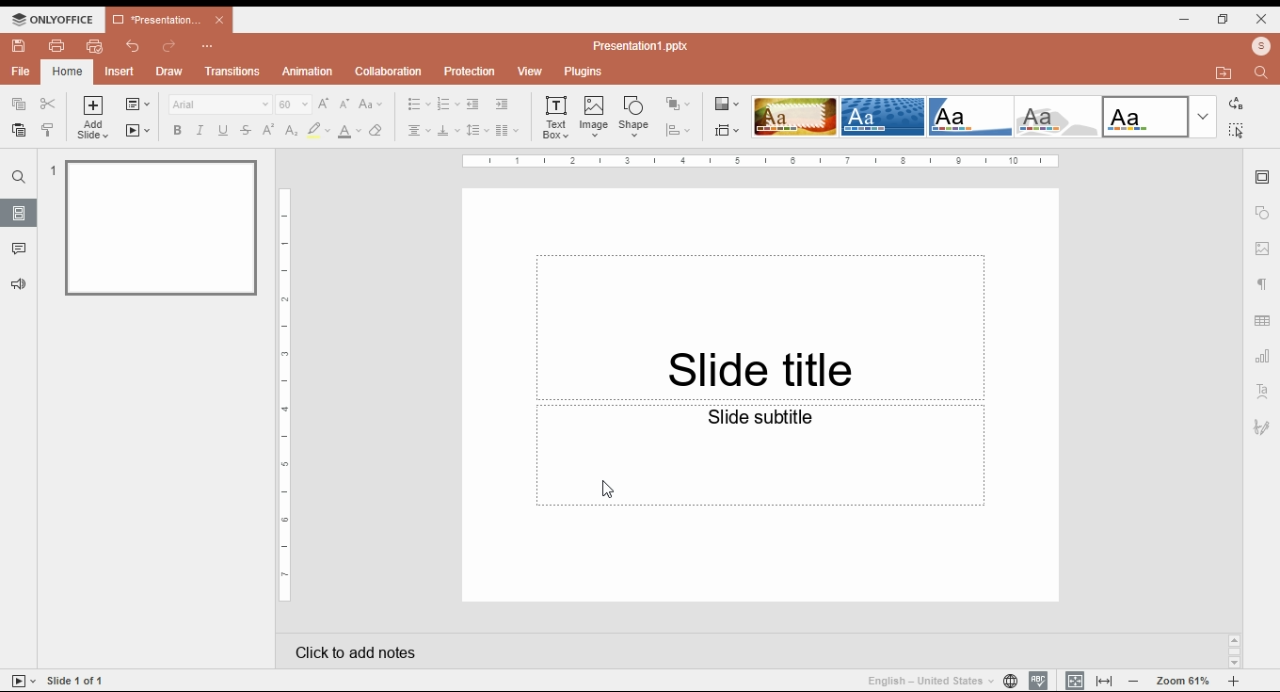  Describe the element at coordinates (478, 131) in the screenshot. I see `line spacing` at that location.